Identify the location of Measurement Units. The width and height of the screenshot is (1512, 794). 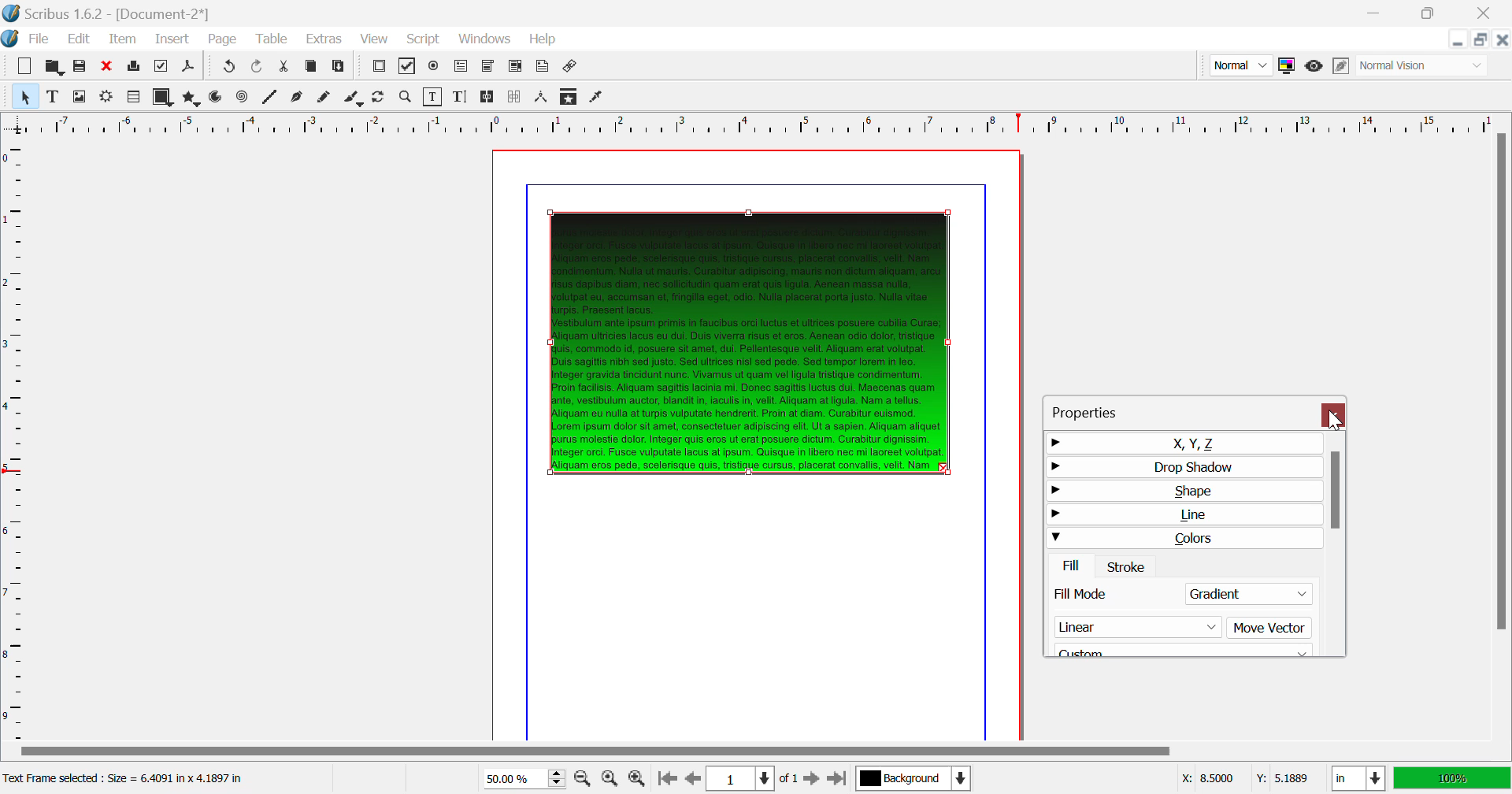
(1359, 780).